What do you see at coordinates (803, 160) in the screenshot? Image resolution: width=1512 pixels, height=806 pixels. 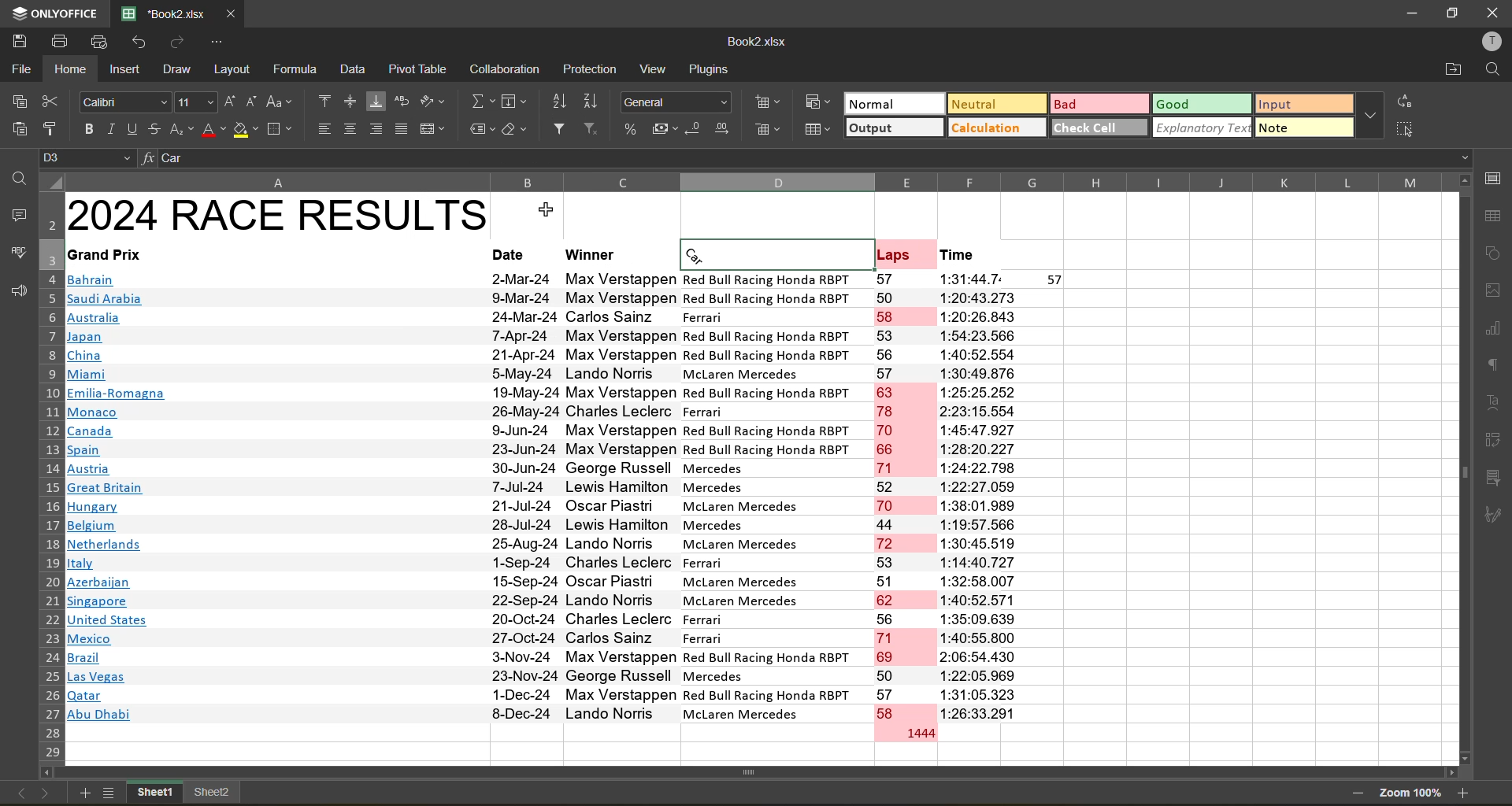 I see `formula bar` at bounding box center [803, 160].